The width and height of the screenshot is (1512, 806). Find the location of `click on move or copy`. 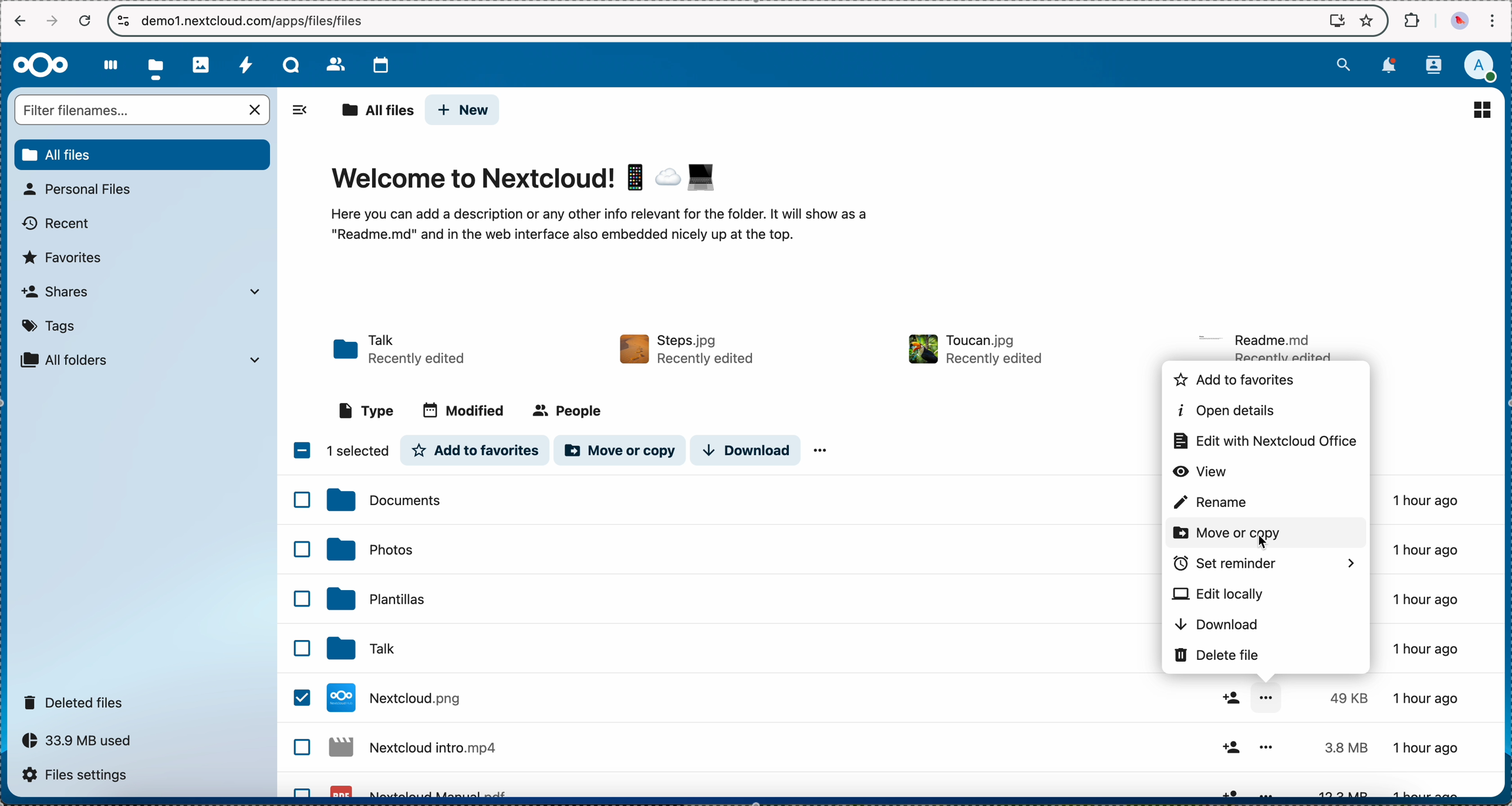

click on move or copy is located at coordinates (1265, 534).